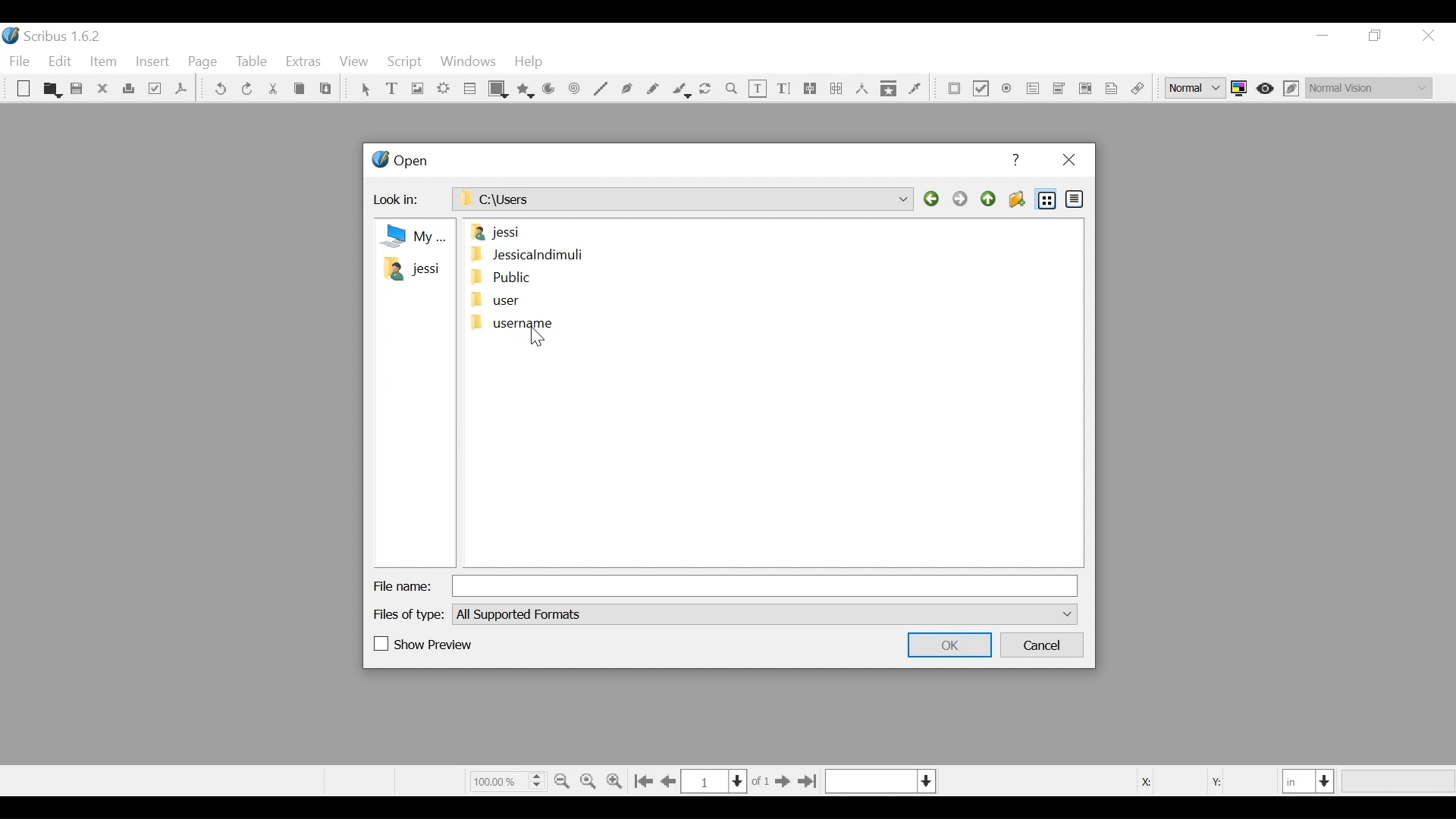 This screenshot has height=819, width=1456. I want to click on Save, so click(78, 90).